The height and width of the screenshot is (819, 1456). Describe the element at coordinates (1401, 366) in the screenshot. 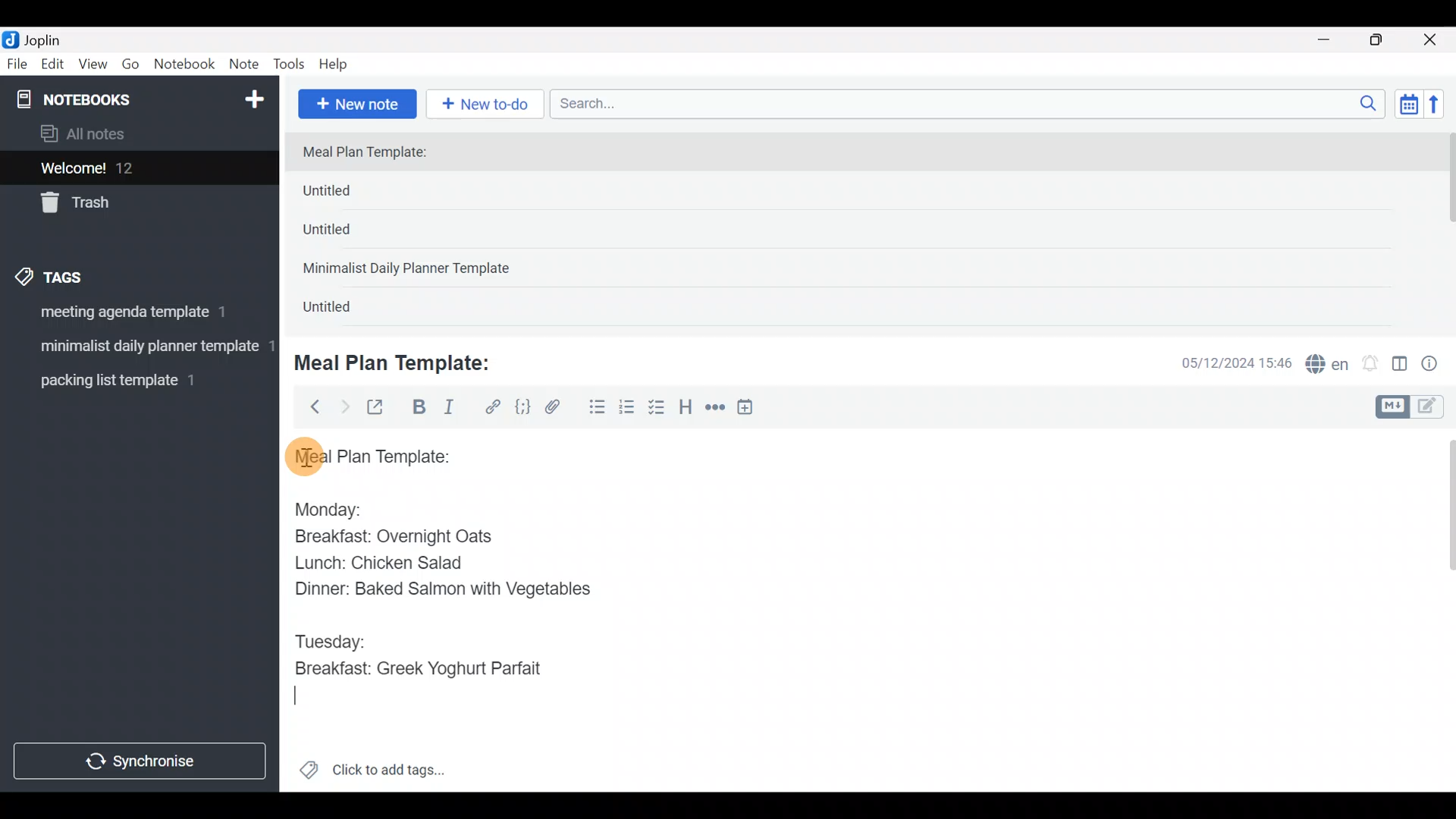

I see `Toggle editor layout` at that location.